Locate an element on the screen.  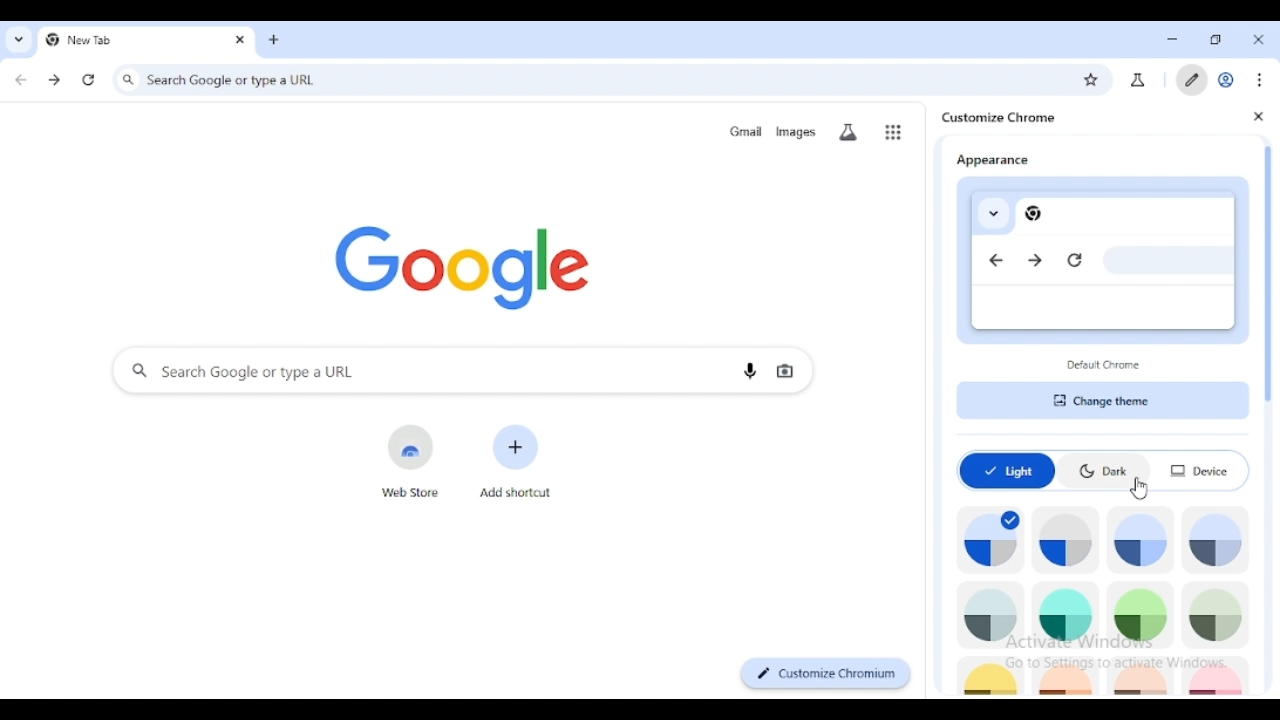
web store is located at coordinates (413, 460).